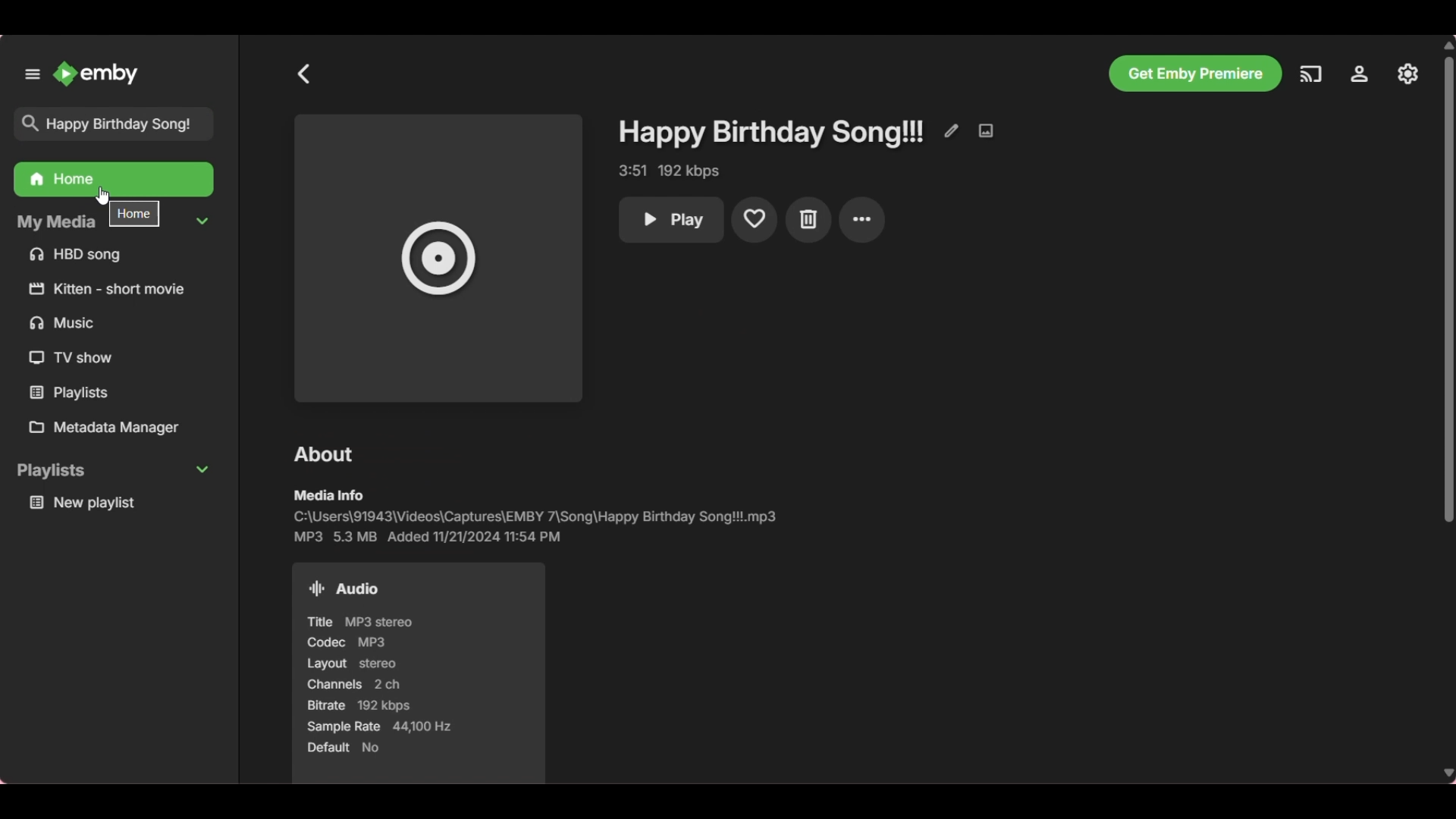  I want to click on HBD song, so click(80, 257).